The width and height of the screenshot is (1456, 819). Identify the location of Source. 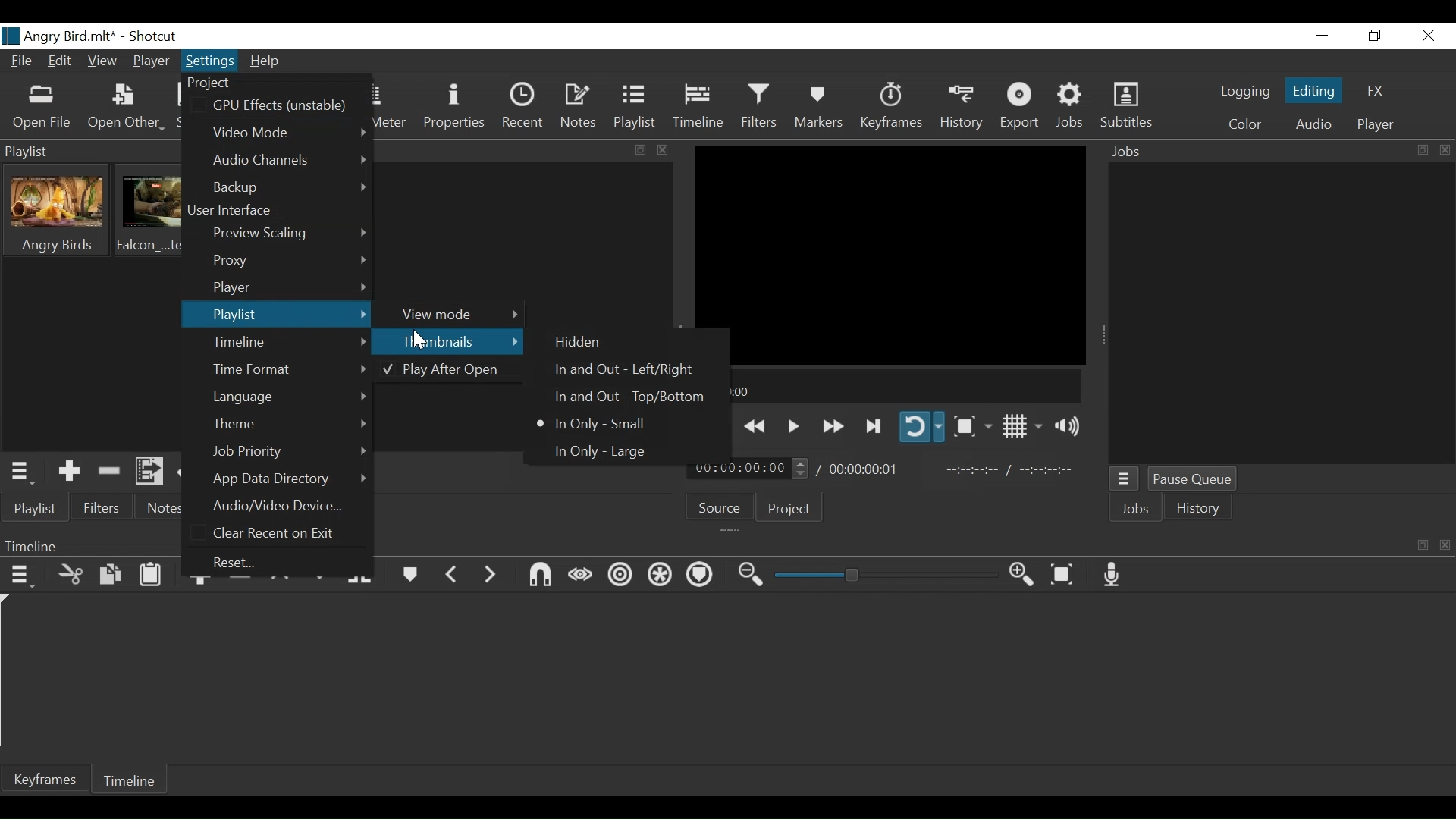
(721, 507).